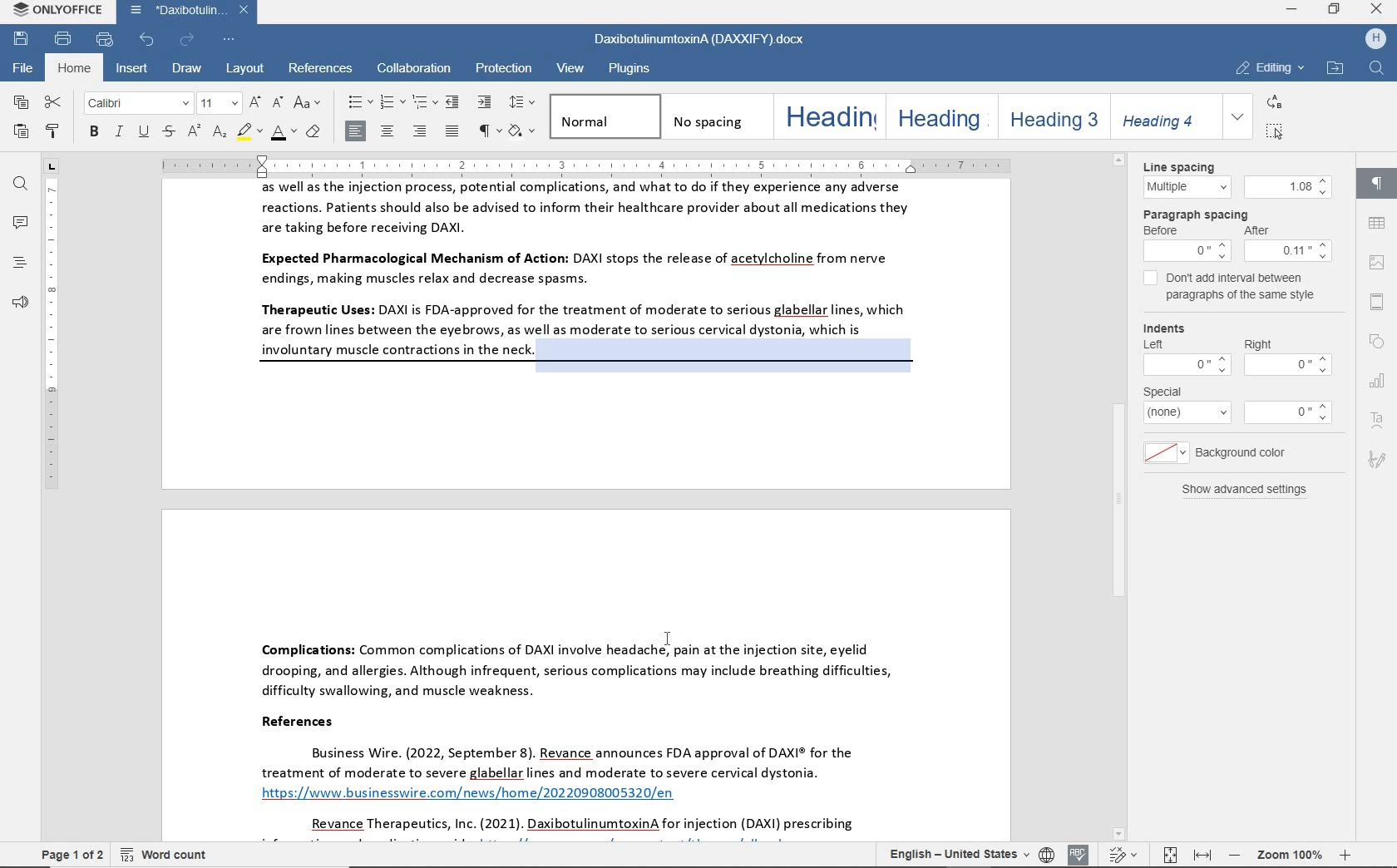  Describe the element at coordinates (1378, 9) in the screenshot. I see `close` at that location.